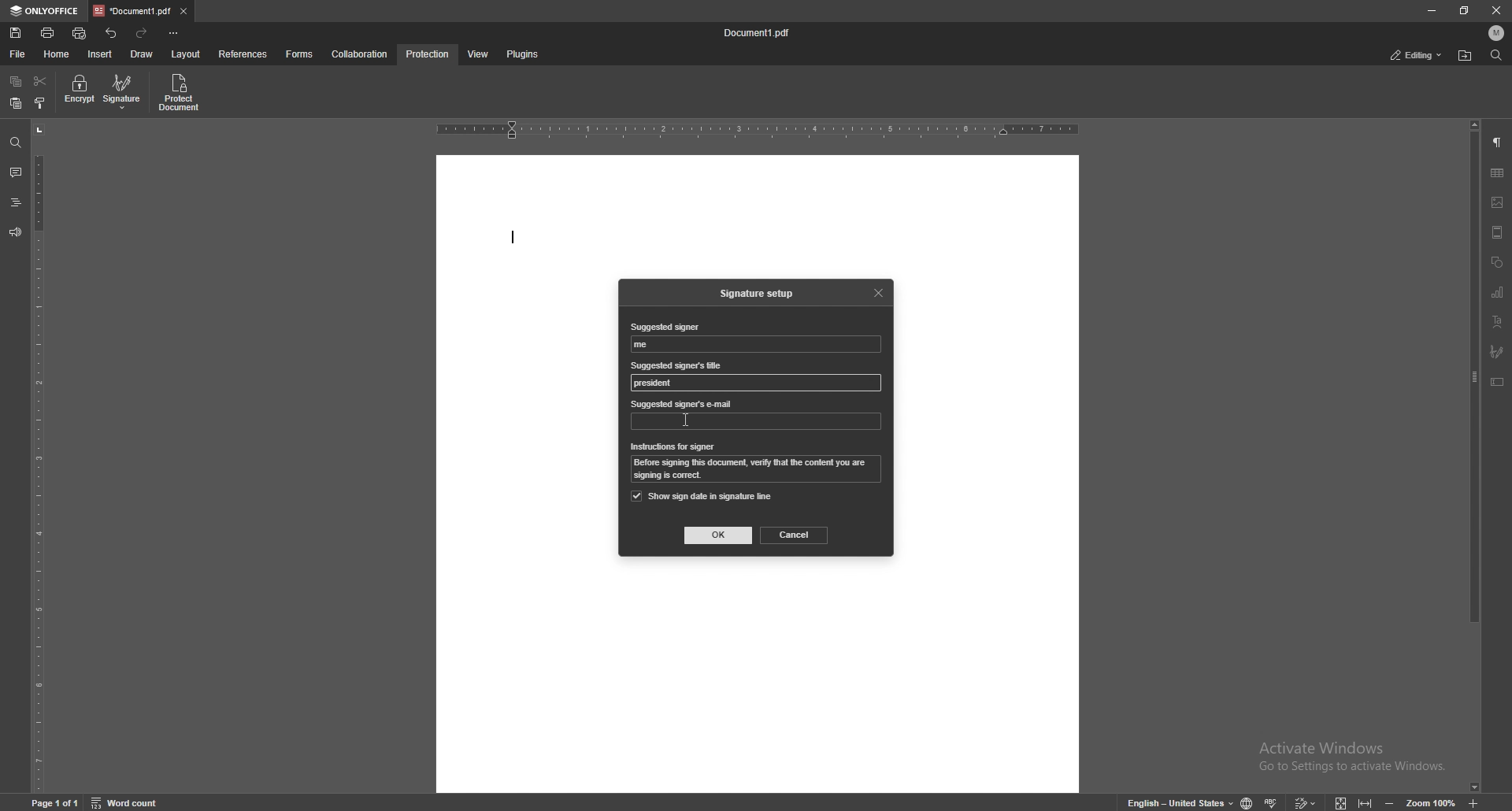 The image size is (1512, 811). I want to click on paragraph, so click(1497, 143).